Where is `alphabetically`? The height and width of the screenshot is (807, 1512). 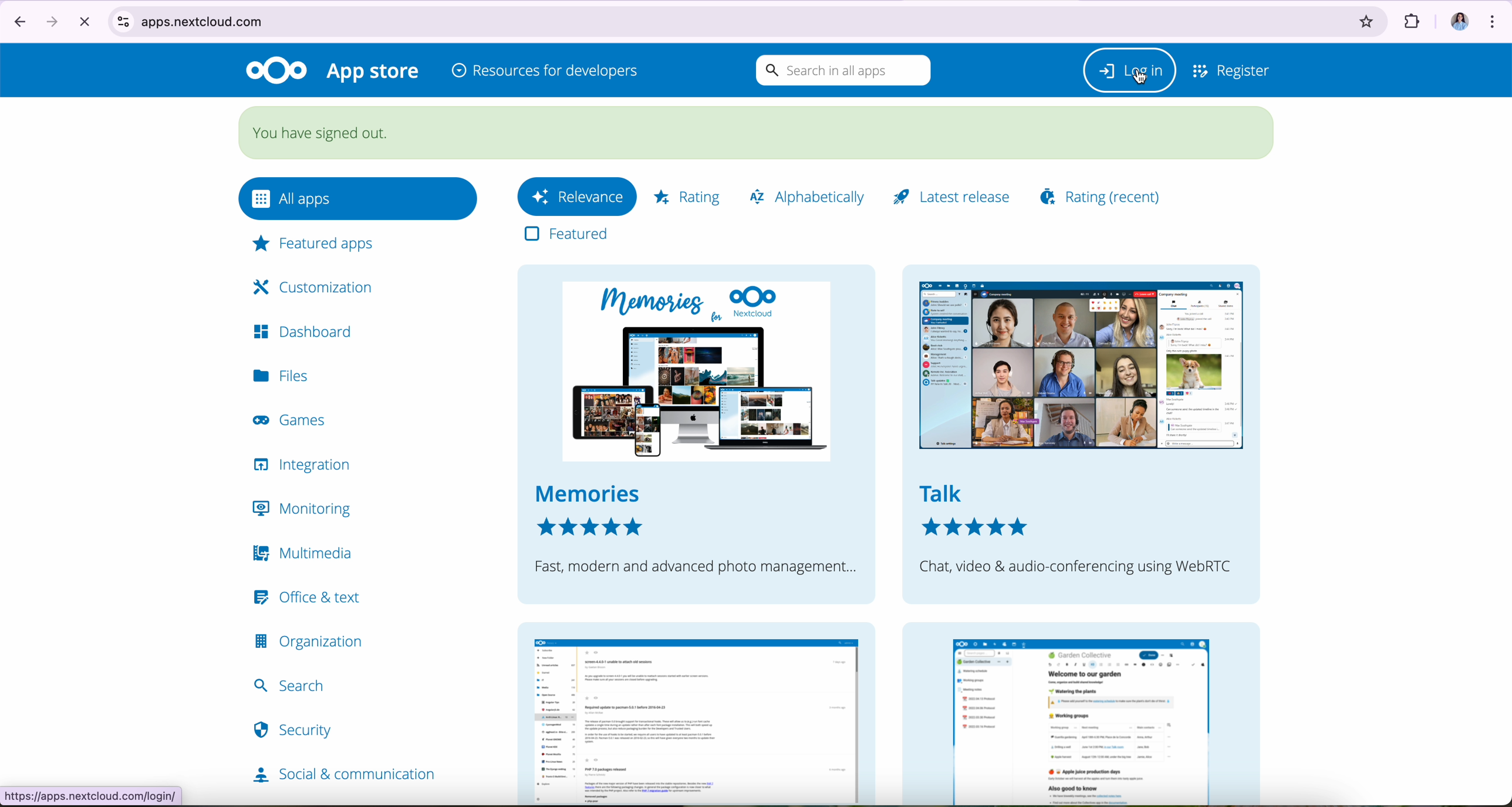 alphabetically is located at coordinates (812, 197).